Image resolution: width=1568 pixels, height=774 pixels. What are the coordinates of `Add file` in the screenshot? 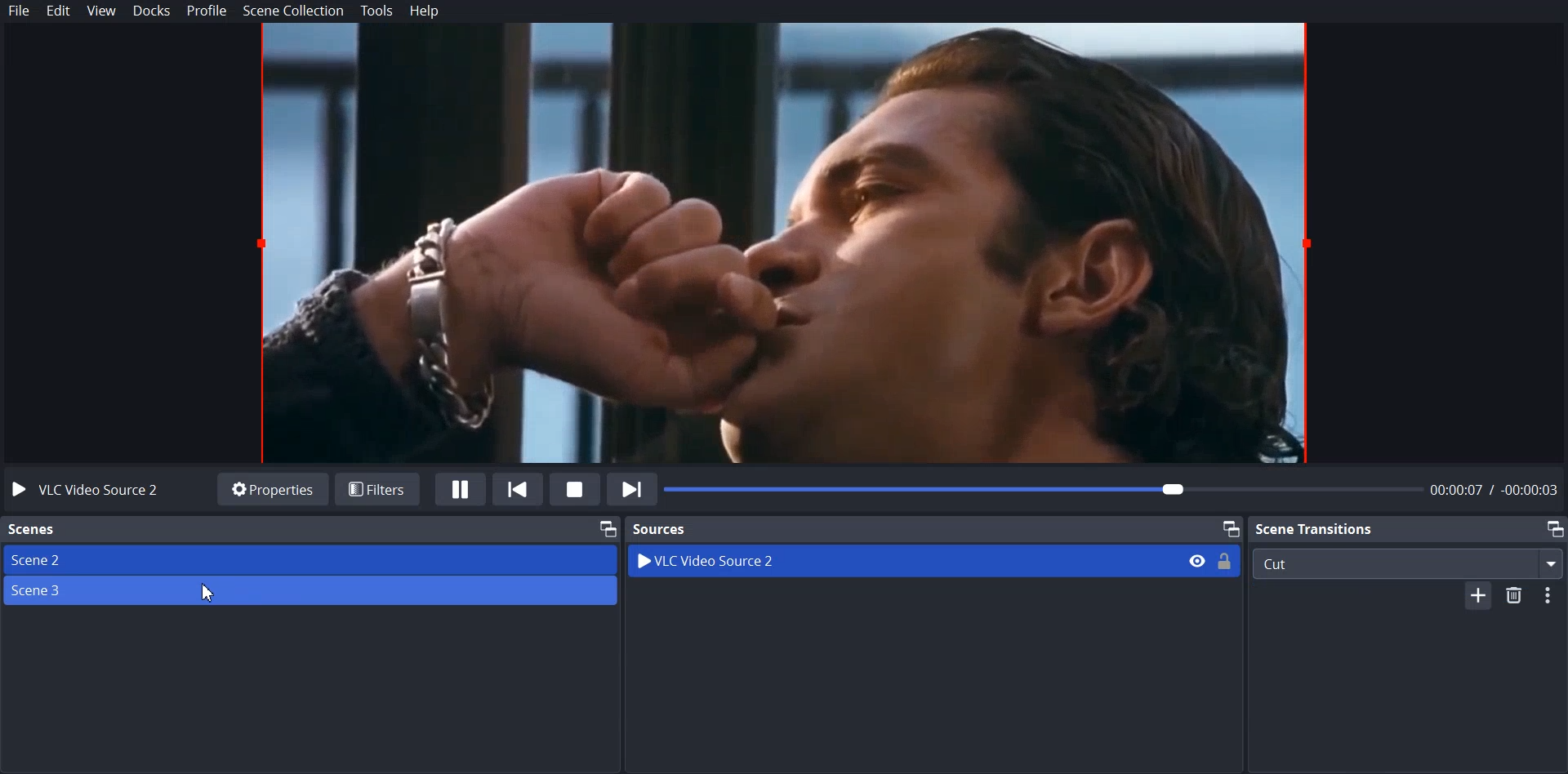 It's located at (1474, 596).